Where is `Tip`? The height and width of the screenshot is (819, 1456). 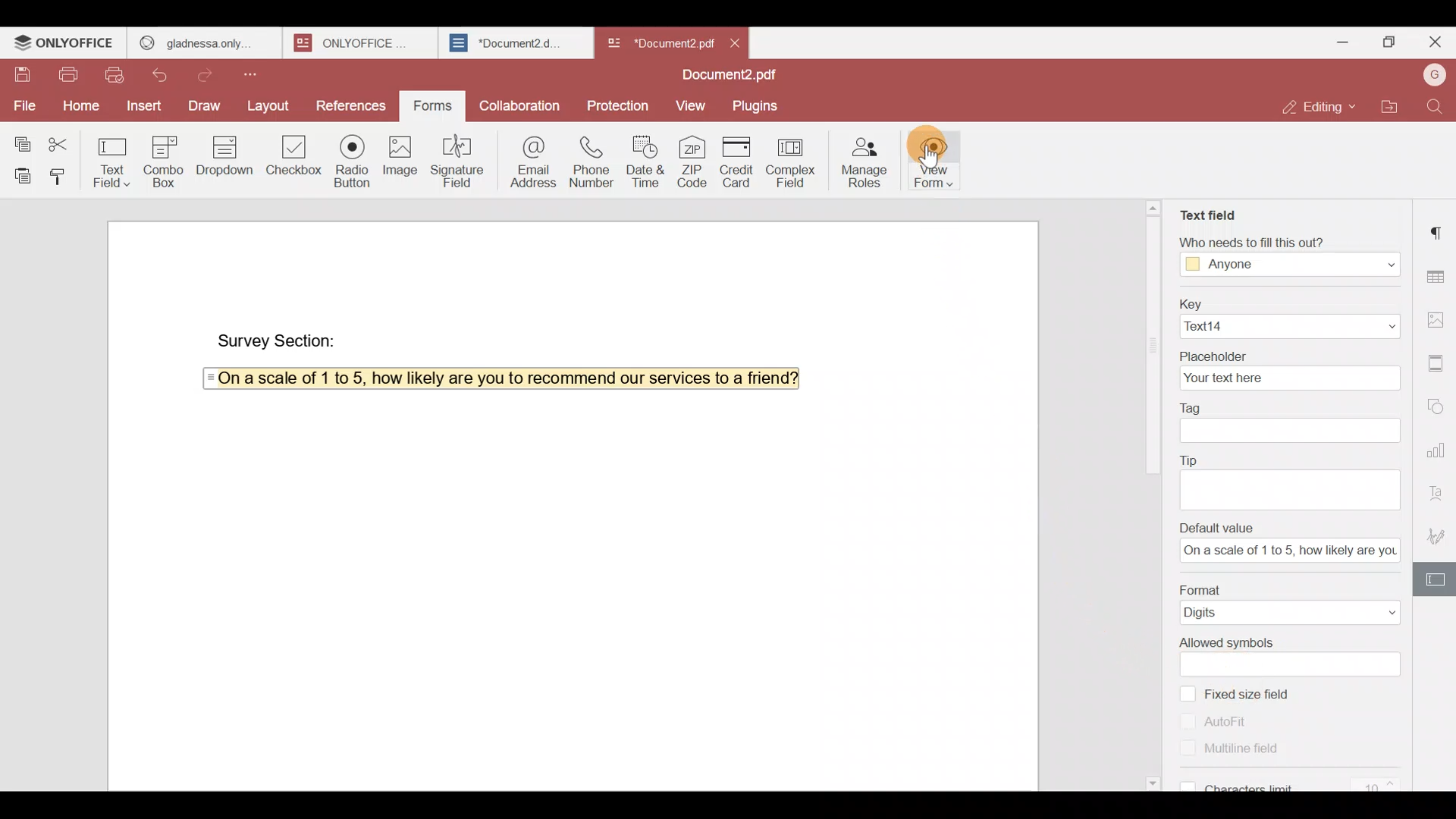 Tip is located at coordinates (1288, 460).